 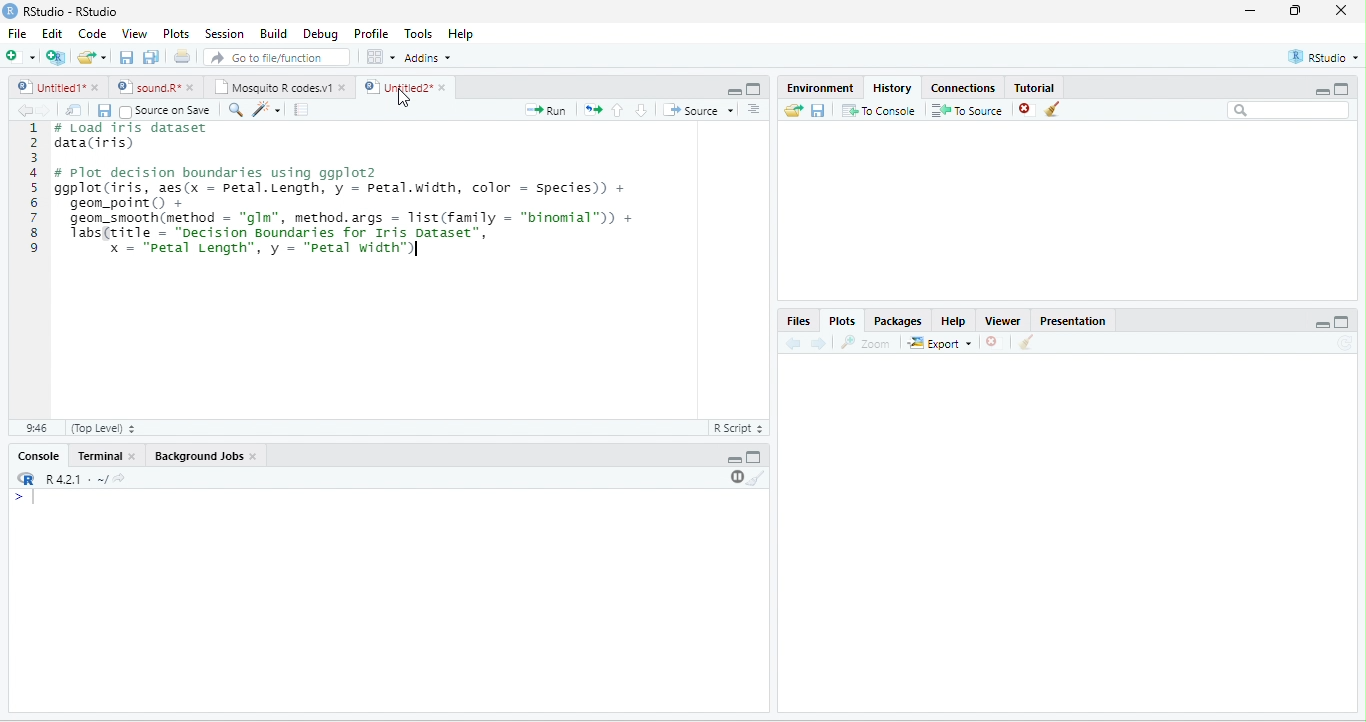 I want to click on Top Level, so click(x=103, y=429).